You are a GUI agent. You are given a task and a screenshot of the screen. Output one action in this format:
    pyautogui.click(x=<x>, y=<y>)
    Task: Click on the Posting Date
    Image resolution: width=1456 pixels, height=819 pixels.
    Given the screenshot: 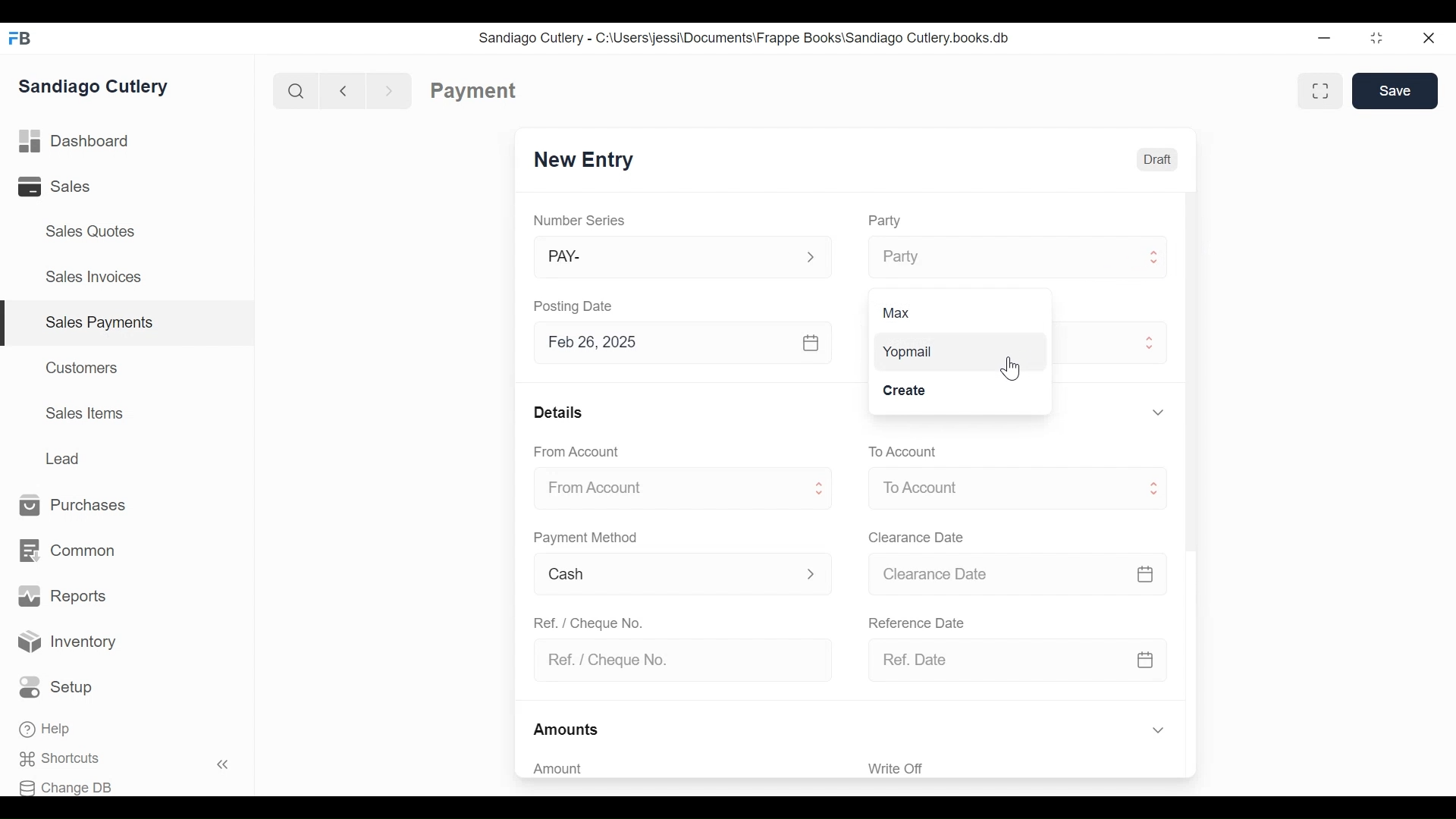 What is the action you would take?
    pyautogui.click(x=576, y=306)
    